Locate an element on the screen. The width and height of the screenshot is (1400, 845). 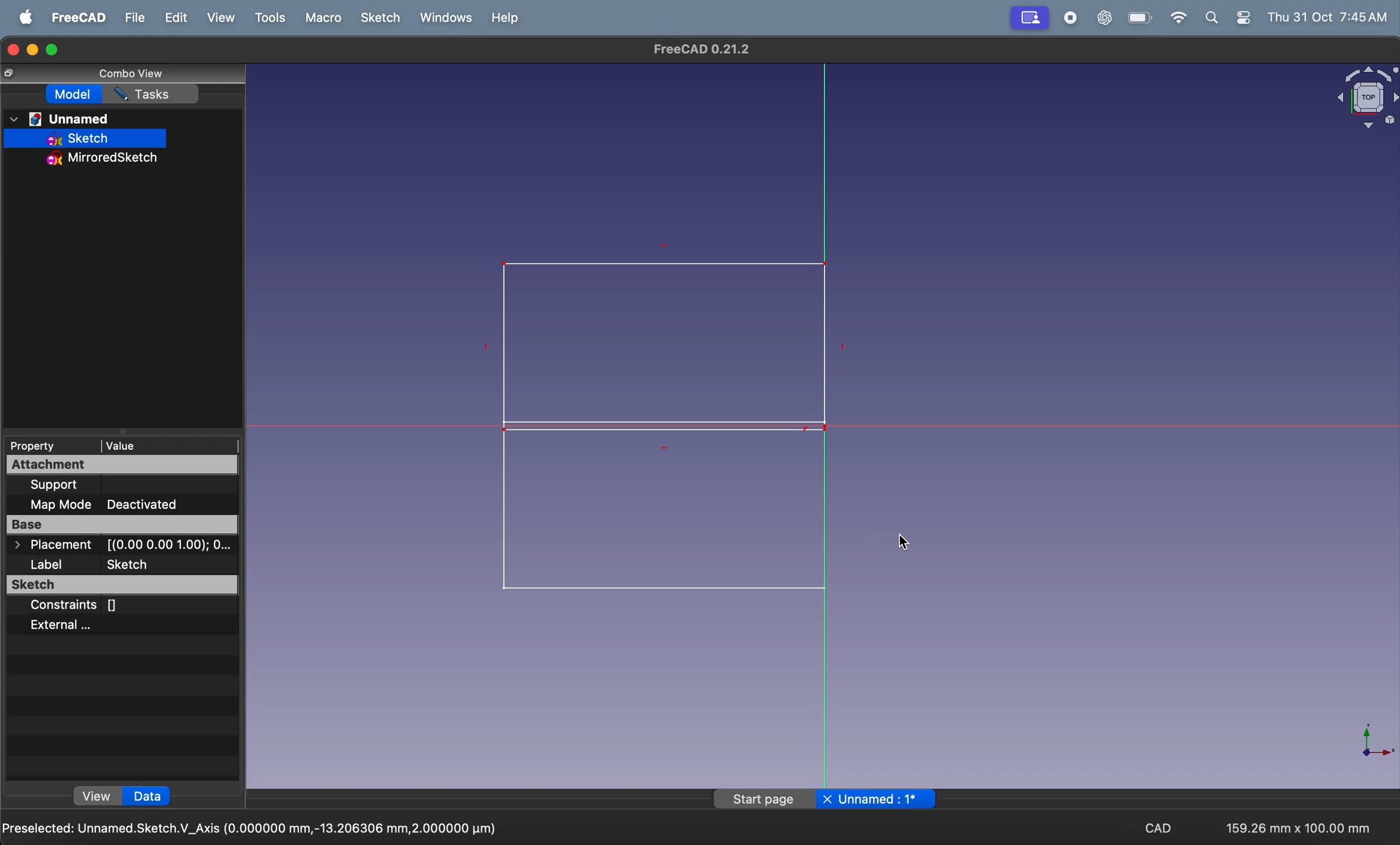
chatgpt is located at coordinates (1105, 19).